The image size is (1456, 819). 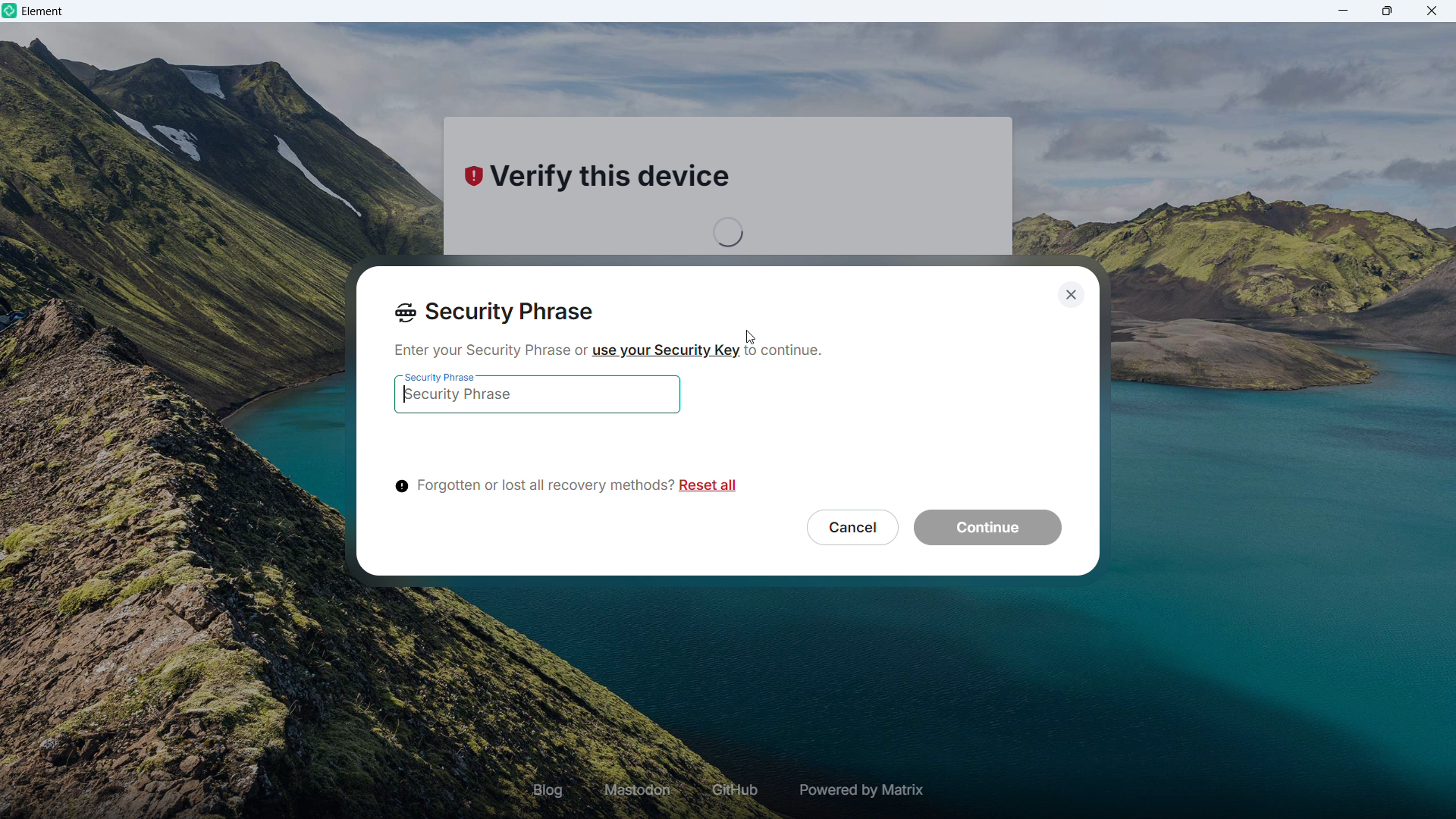 What do you see at coordinates (987, 529) in the screenshot?
I see `Continue ` at bounding box center [987, 529].